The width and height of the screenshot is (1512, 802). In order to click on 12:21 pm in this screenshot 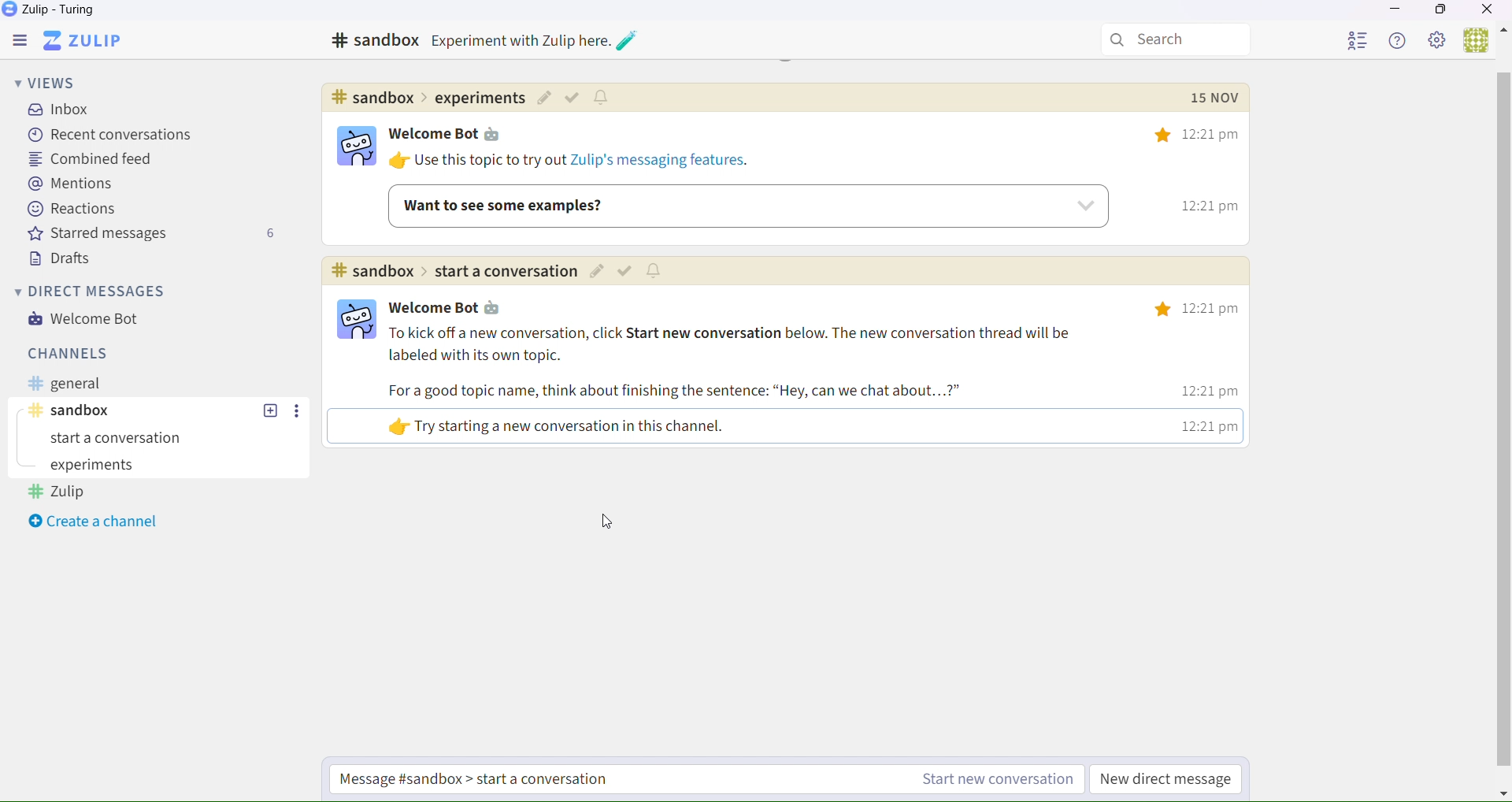, I will do `click(1202, 136)`.